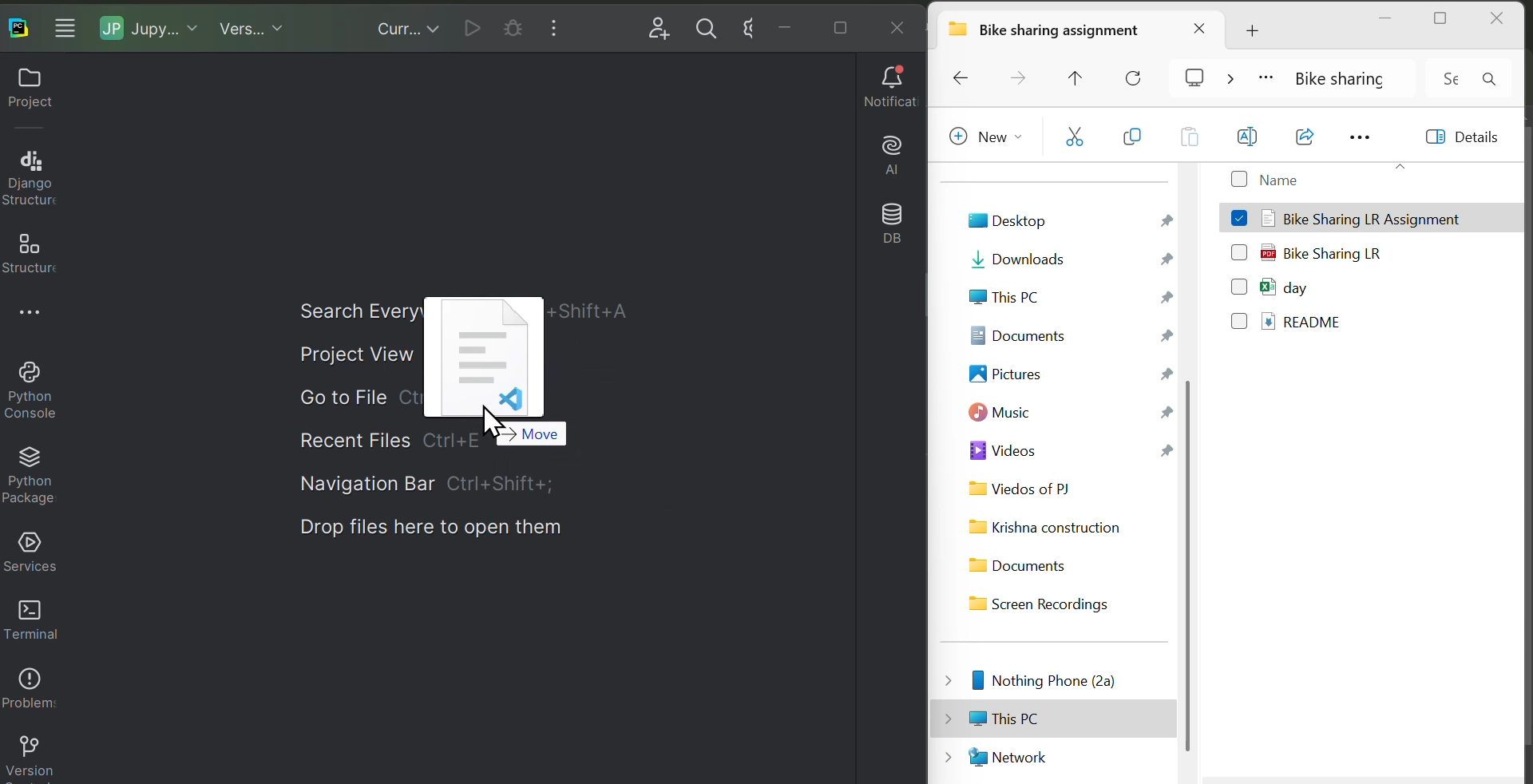 This screenshot has width=1533, height=784. What do you see at coordinates (748, 25) in the screenshot?
I see `settings` at bounding box center [748, 25].